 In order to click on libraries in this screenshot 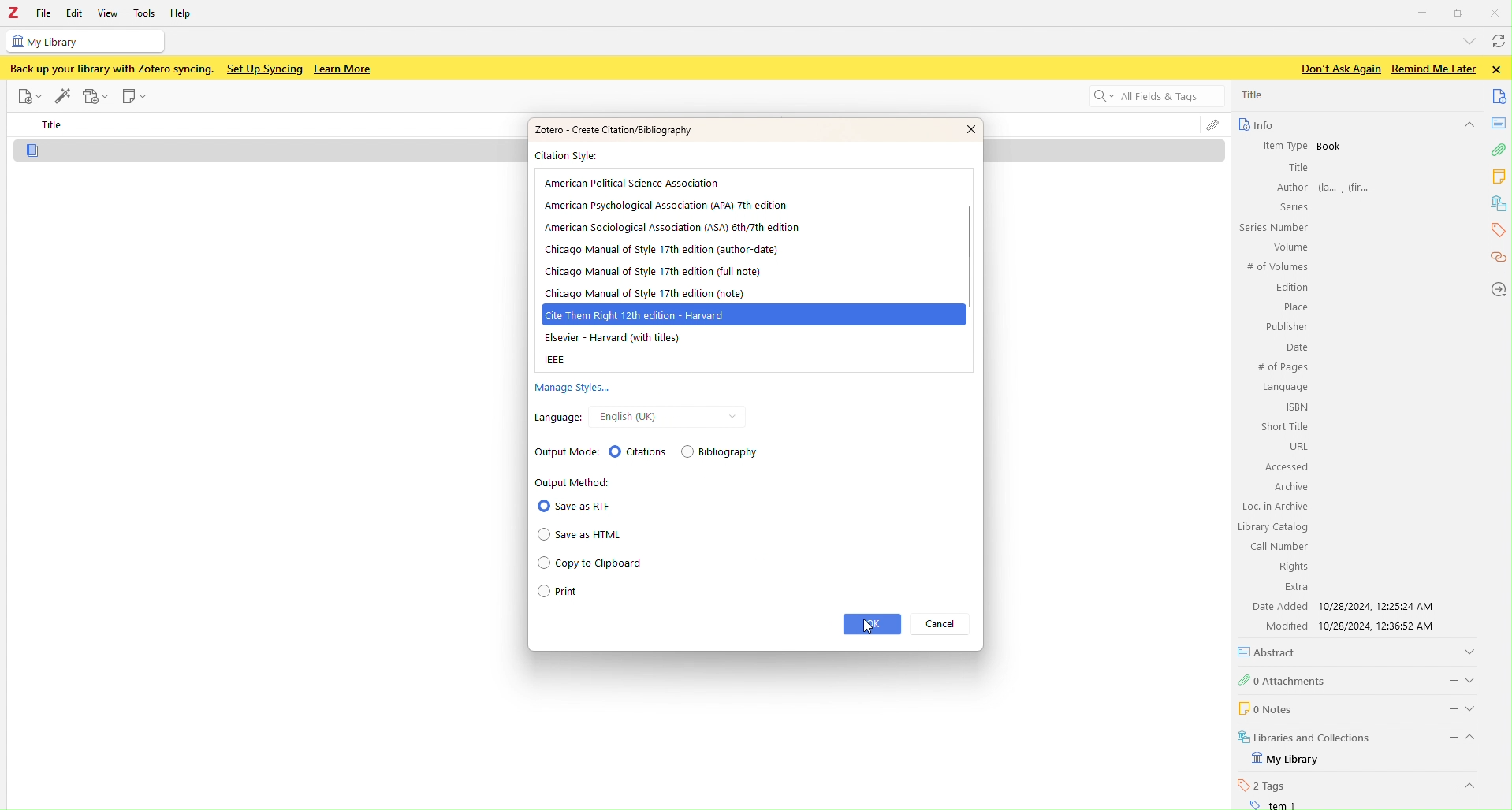, I will do `click(1499, 204)`.